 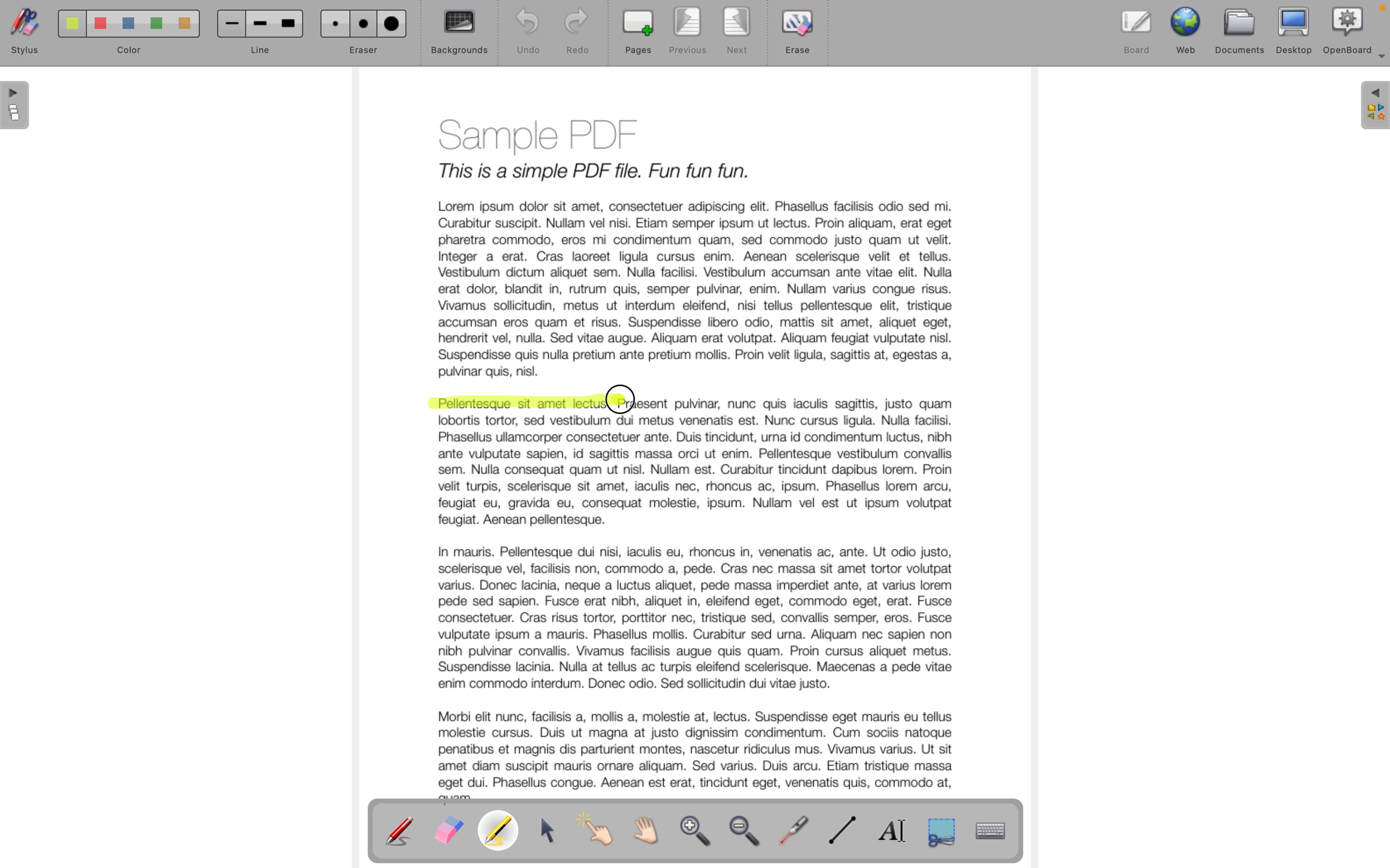 What do you see at coordinates (621, 396) in the screenshot?
I see `cursor` at bounding box center [621, 396].